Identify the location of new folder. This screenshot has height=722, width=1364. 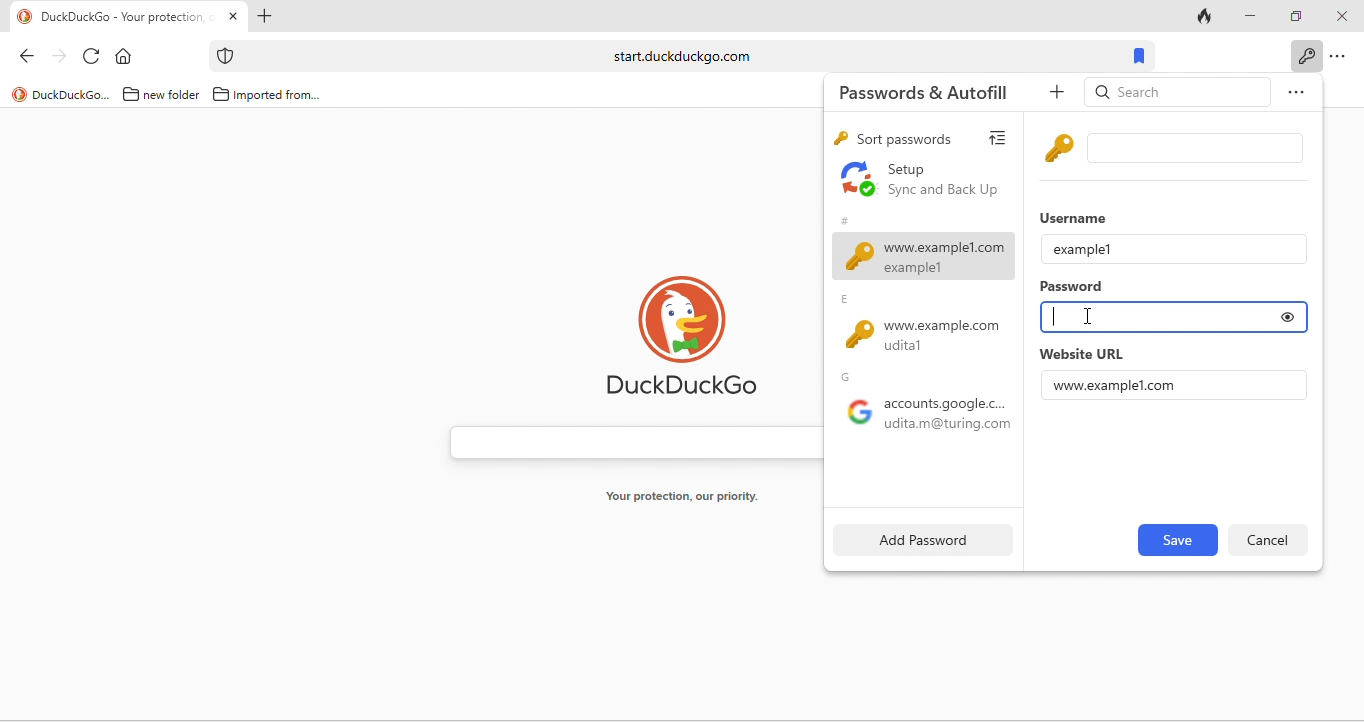
(173, 96).